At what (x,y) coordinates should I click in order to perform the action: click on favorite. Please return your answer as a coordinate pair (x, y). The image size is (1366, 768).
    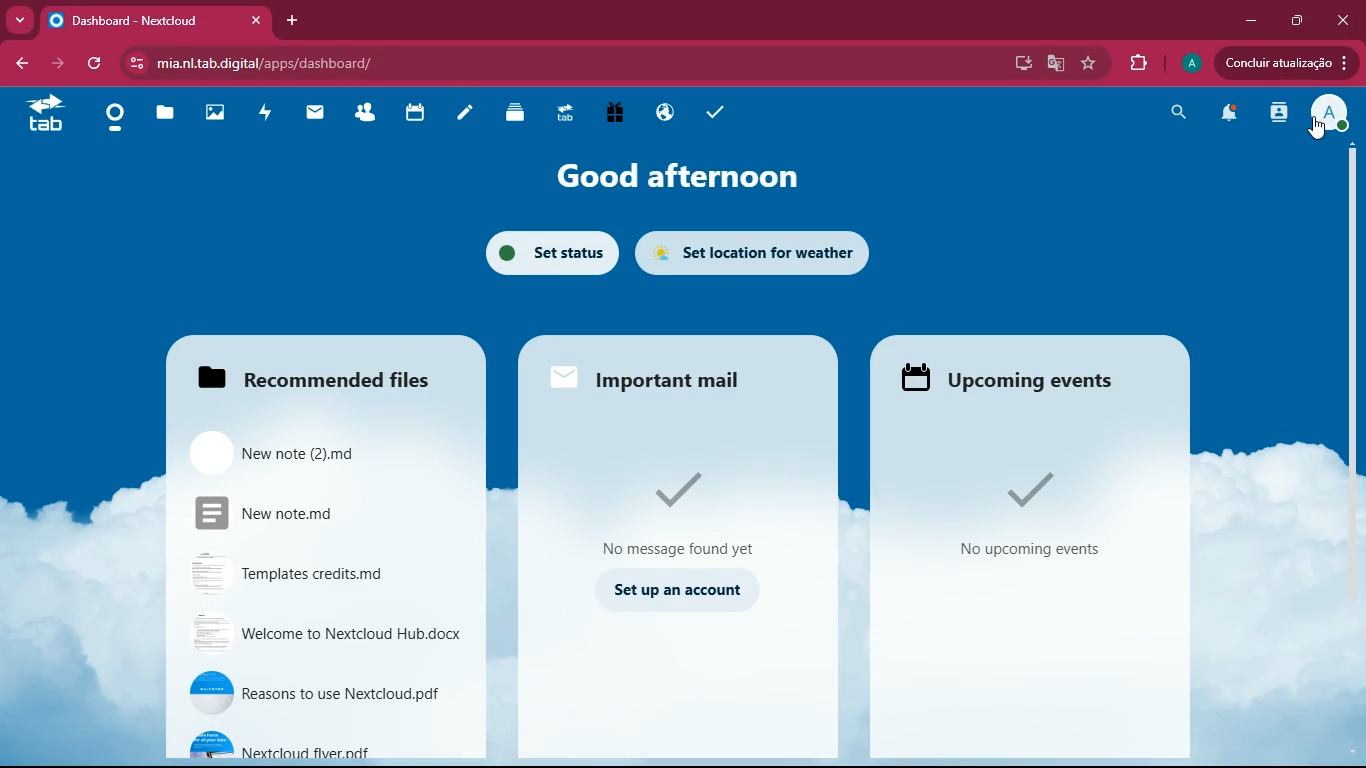
    Looking at the image, I should click on (1088, 63).